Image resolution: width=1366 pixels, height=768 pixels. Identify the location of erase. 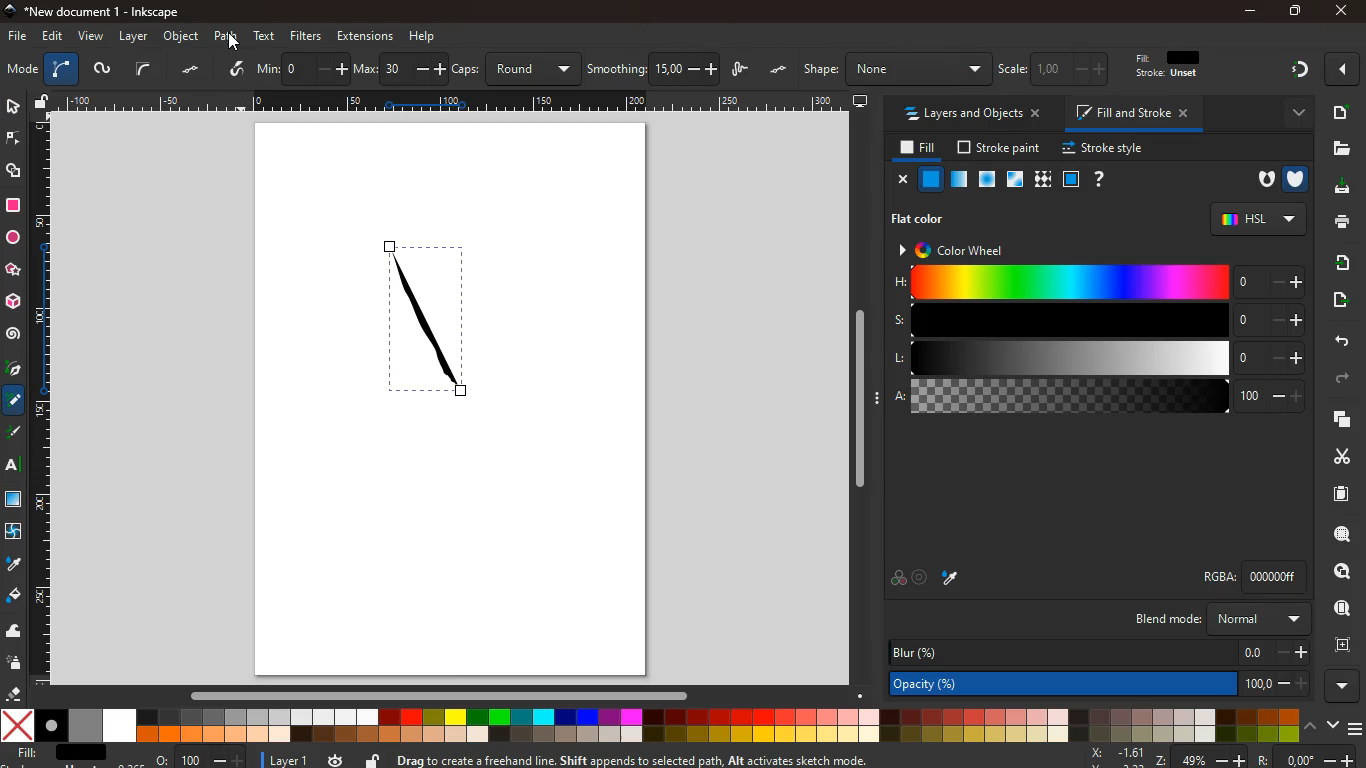
(11, 693).